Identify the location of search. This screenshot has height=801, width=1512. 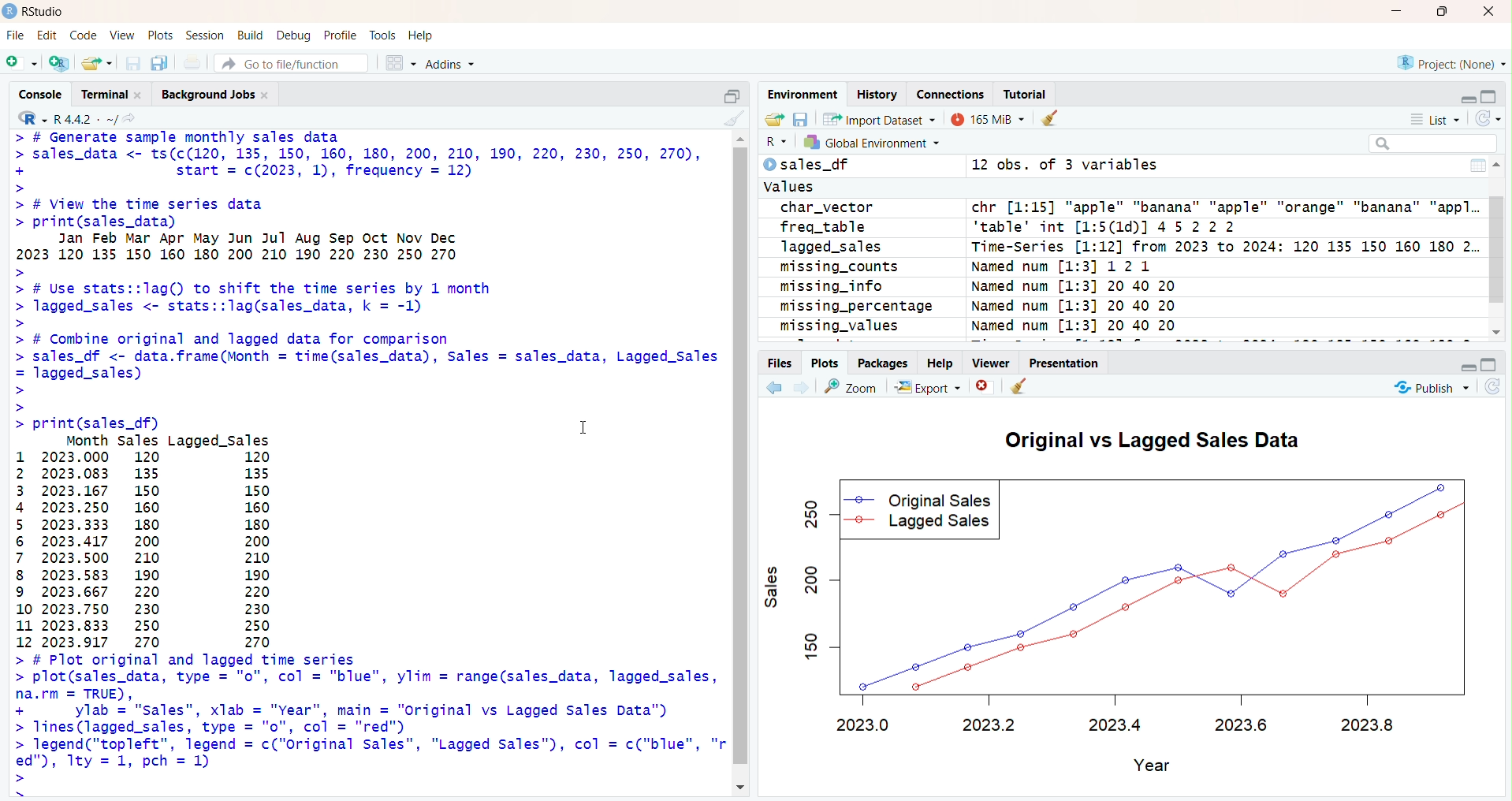
(1435, 143).